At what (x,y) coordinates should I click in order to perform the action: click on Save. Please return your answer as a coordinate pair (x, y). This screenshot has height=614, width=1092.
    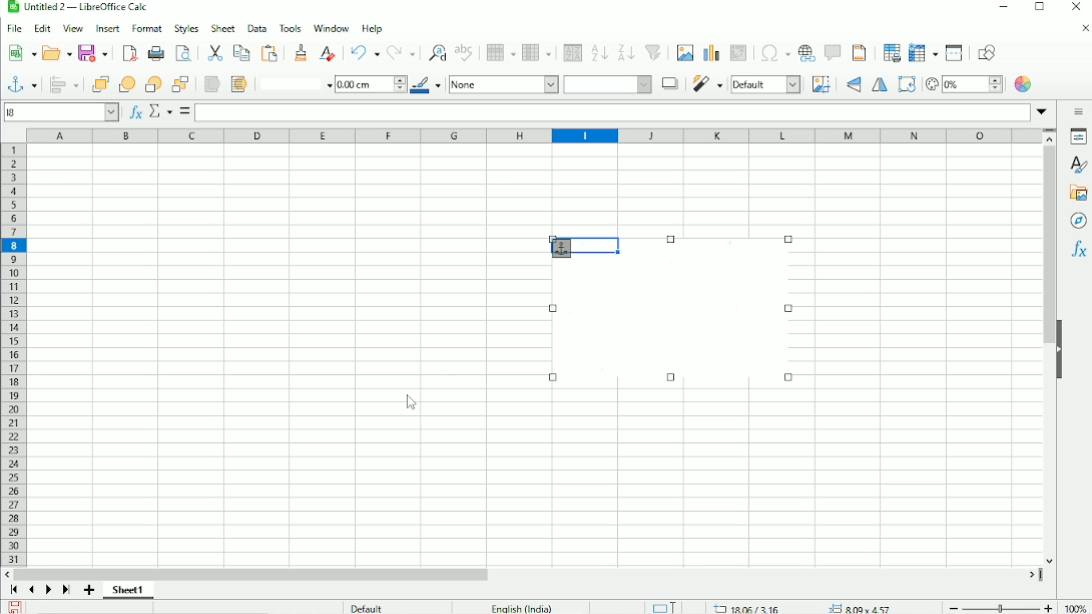
    Looking at the image, I should click on (13, 607).